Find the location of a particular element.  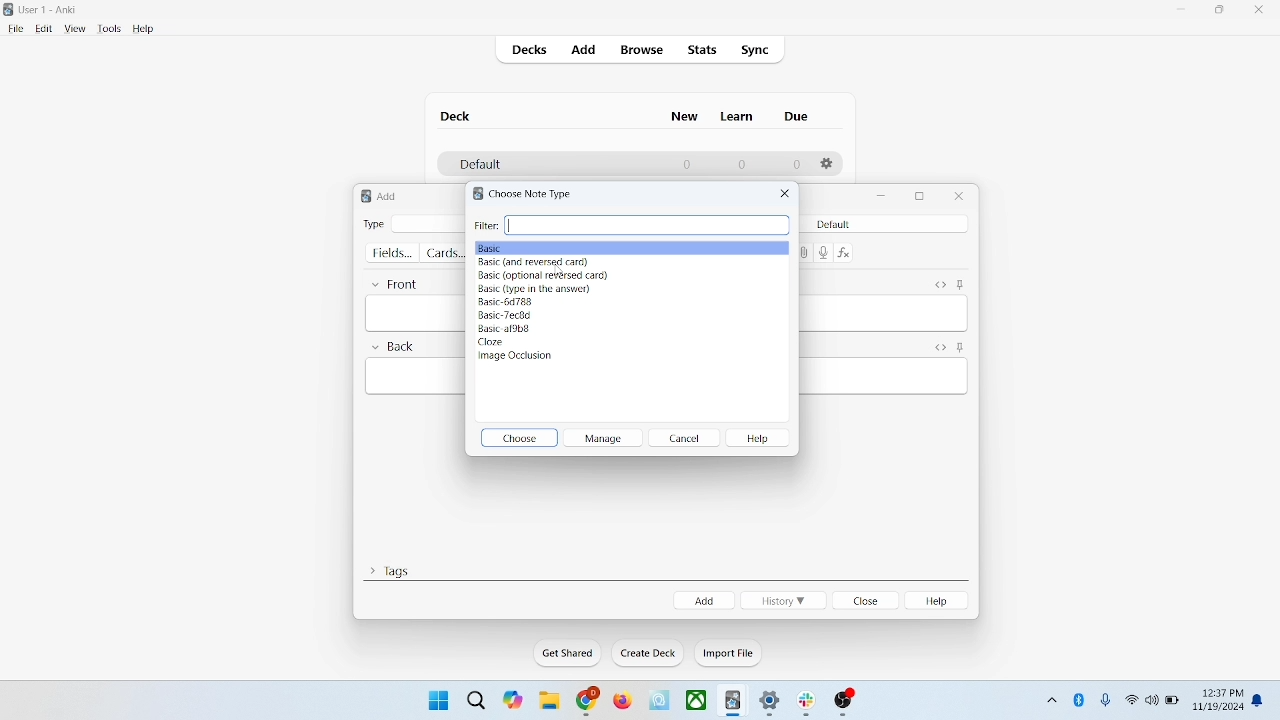

icon is located at coordinates (734, 702).